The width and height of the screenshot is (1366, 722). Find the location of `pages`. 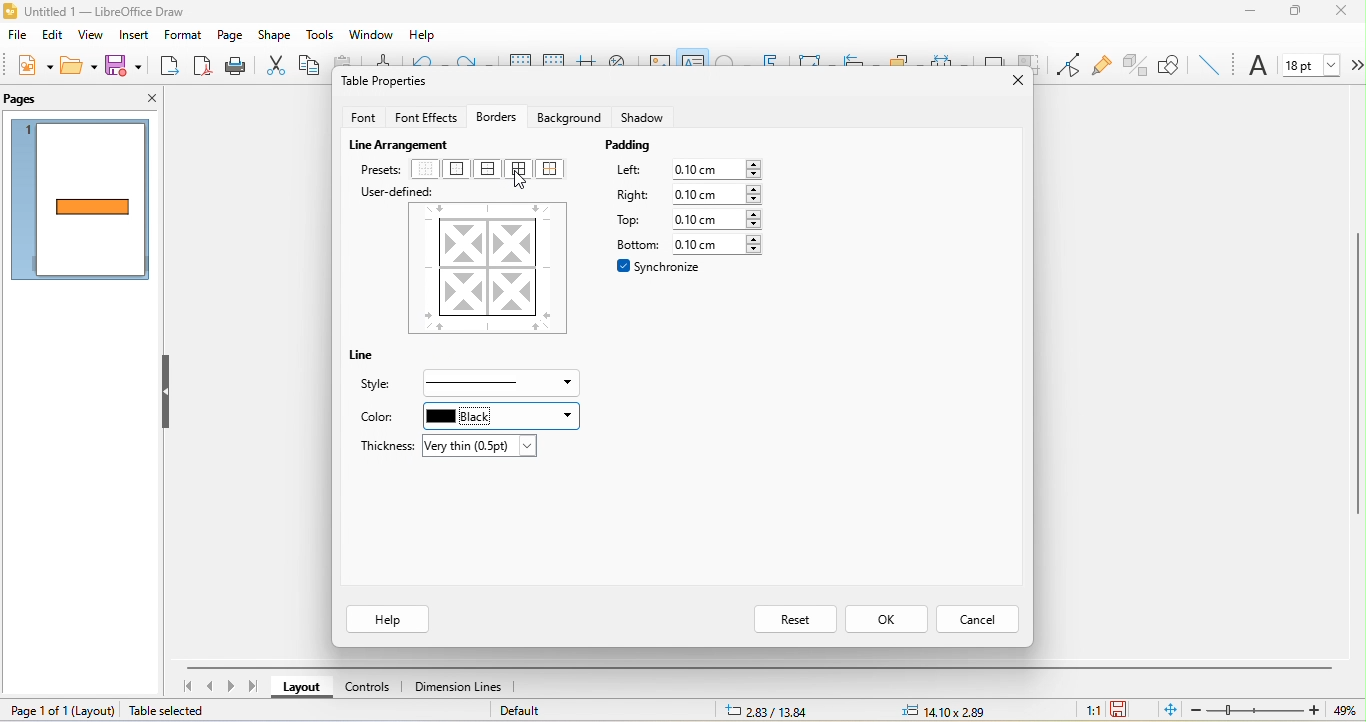

pages is located at coordinates (24, 99).